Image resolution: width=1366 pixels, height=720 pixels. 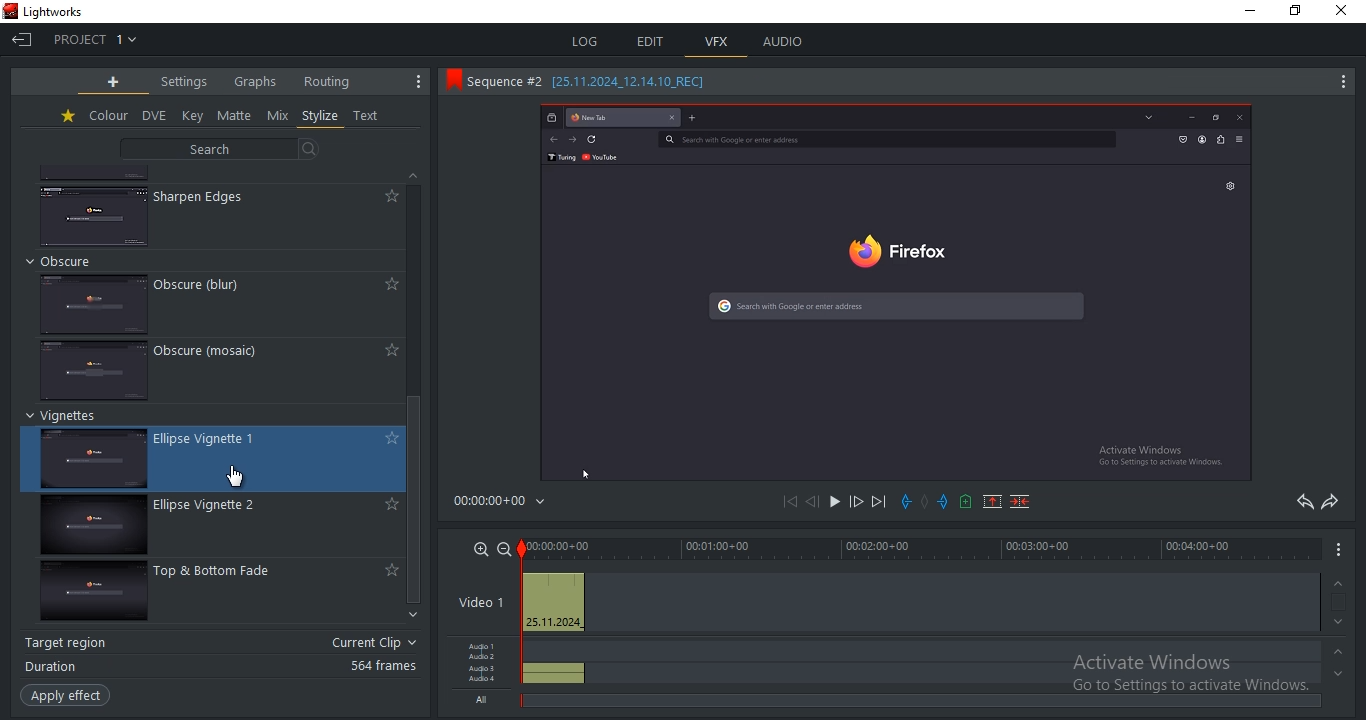 I want to click on sequence 2, so click(x=895, y=292).